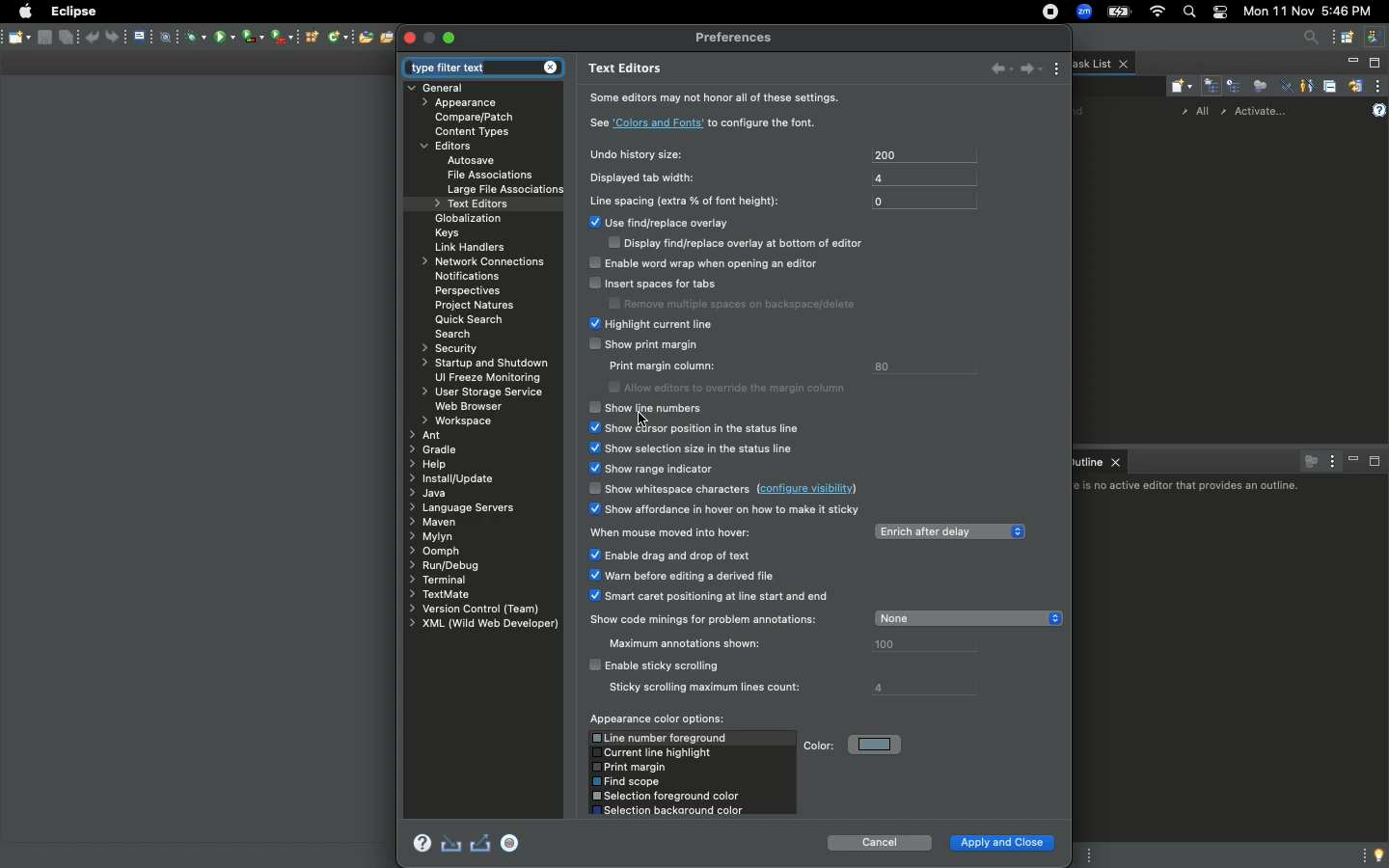  I want to click on bACK, so click(992, 67).